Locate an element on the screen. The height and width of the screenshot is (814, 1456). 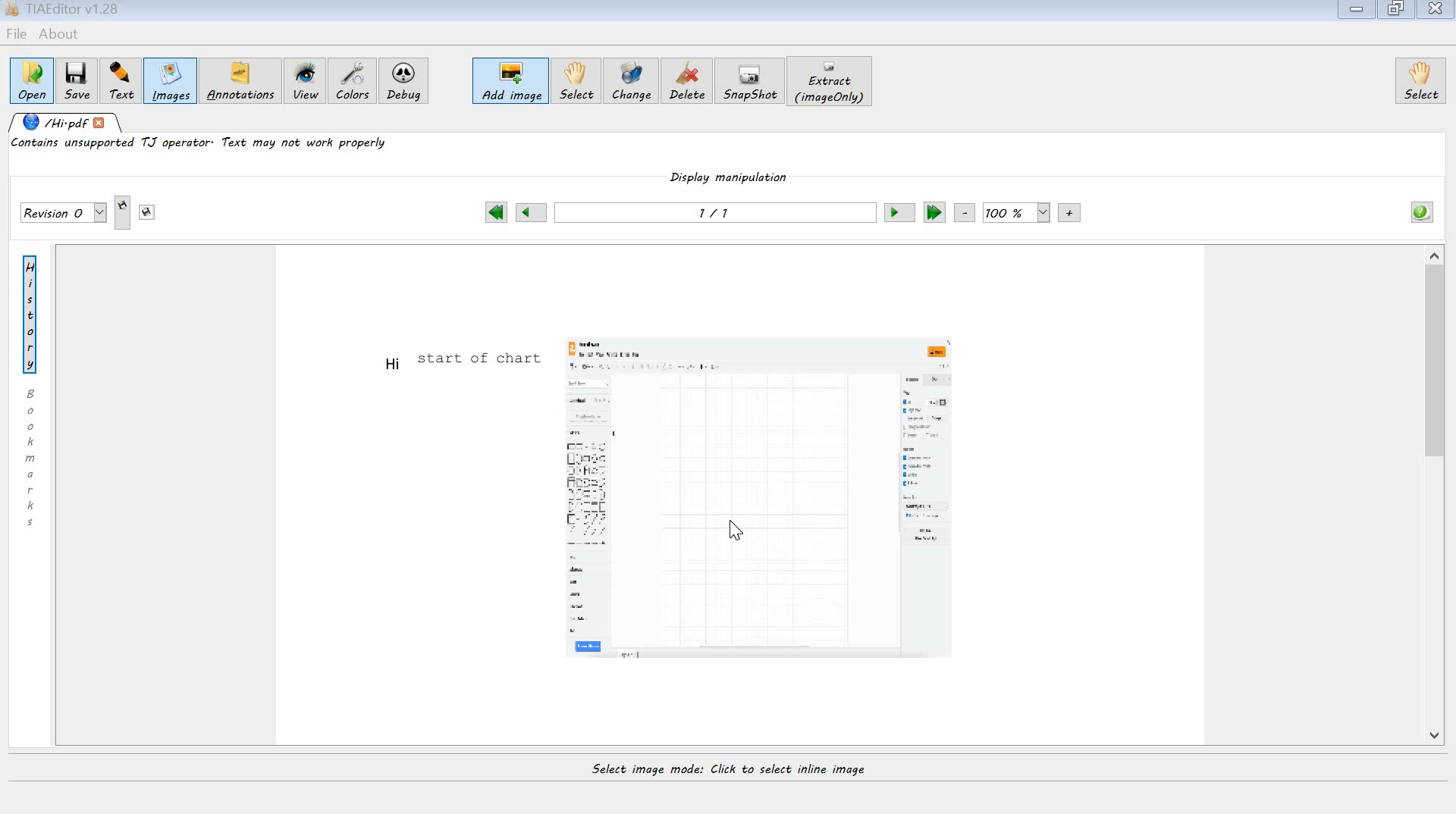
content unsupported TJ operator is located at coordinates (202, 146).